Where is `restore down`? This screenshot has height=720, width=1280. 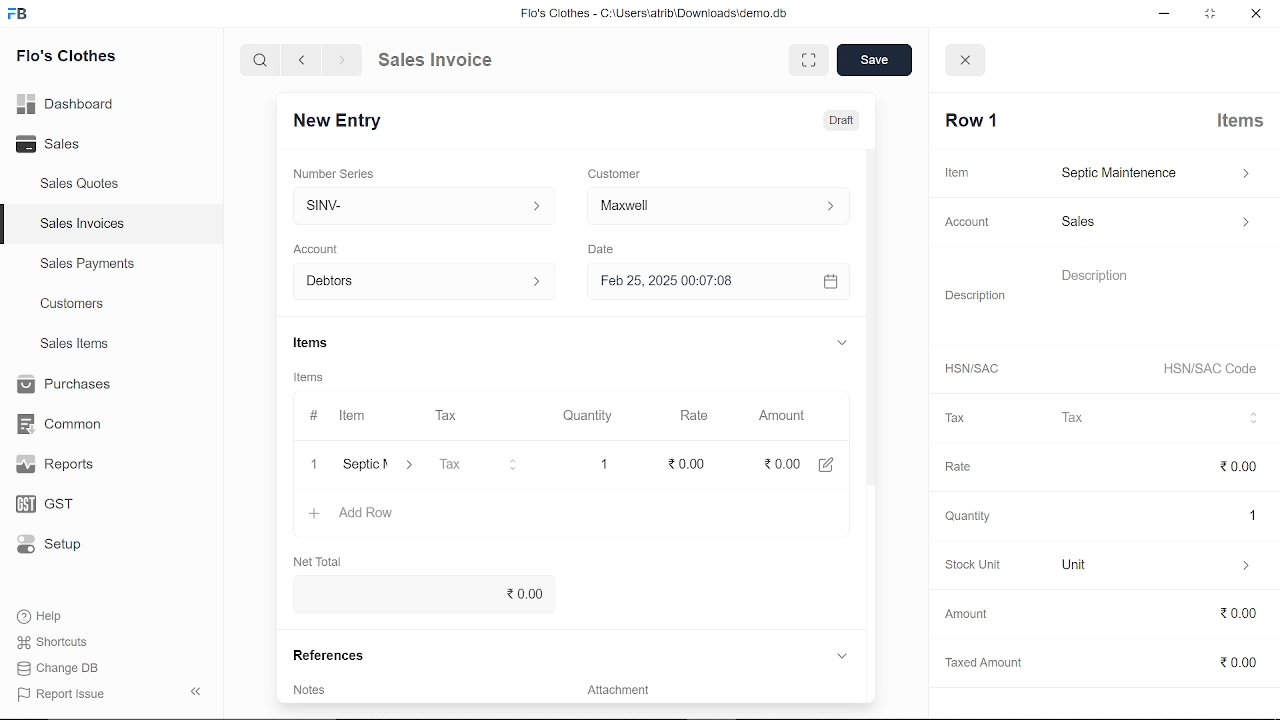
restore down is located at coordinates (1207, 13).